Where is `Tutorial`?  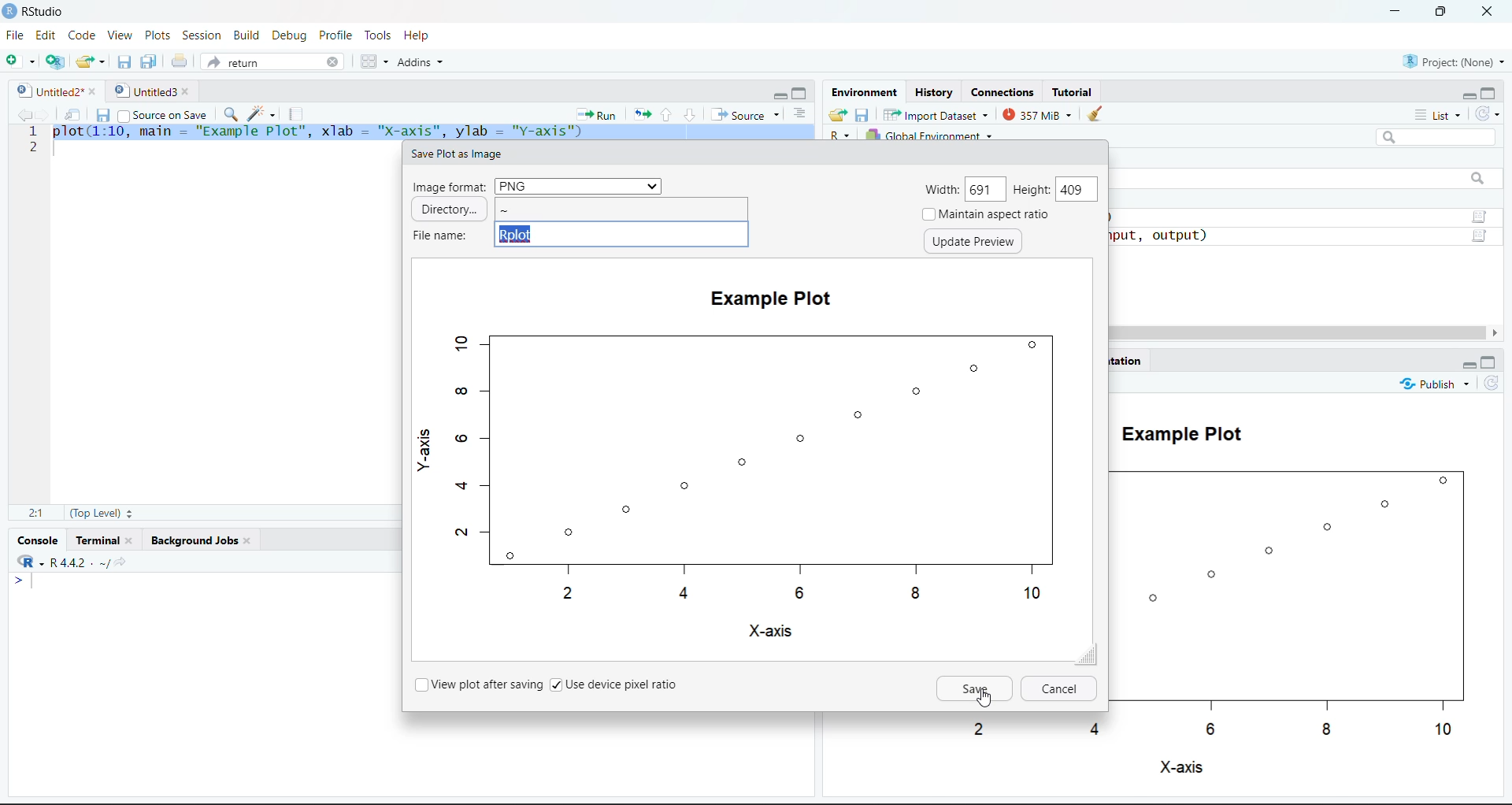 Tutorial is located at coordinates (1073, 91).